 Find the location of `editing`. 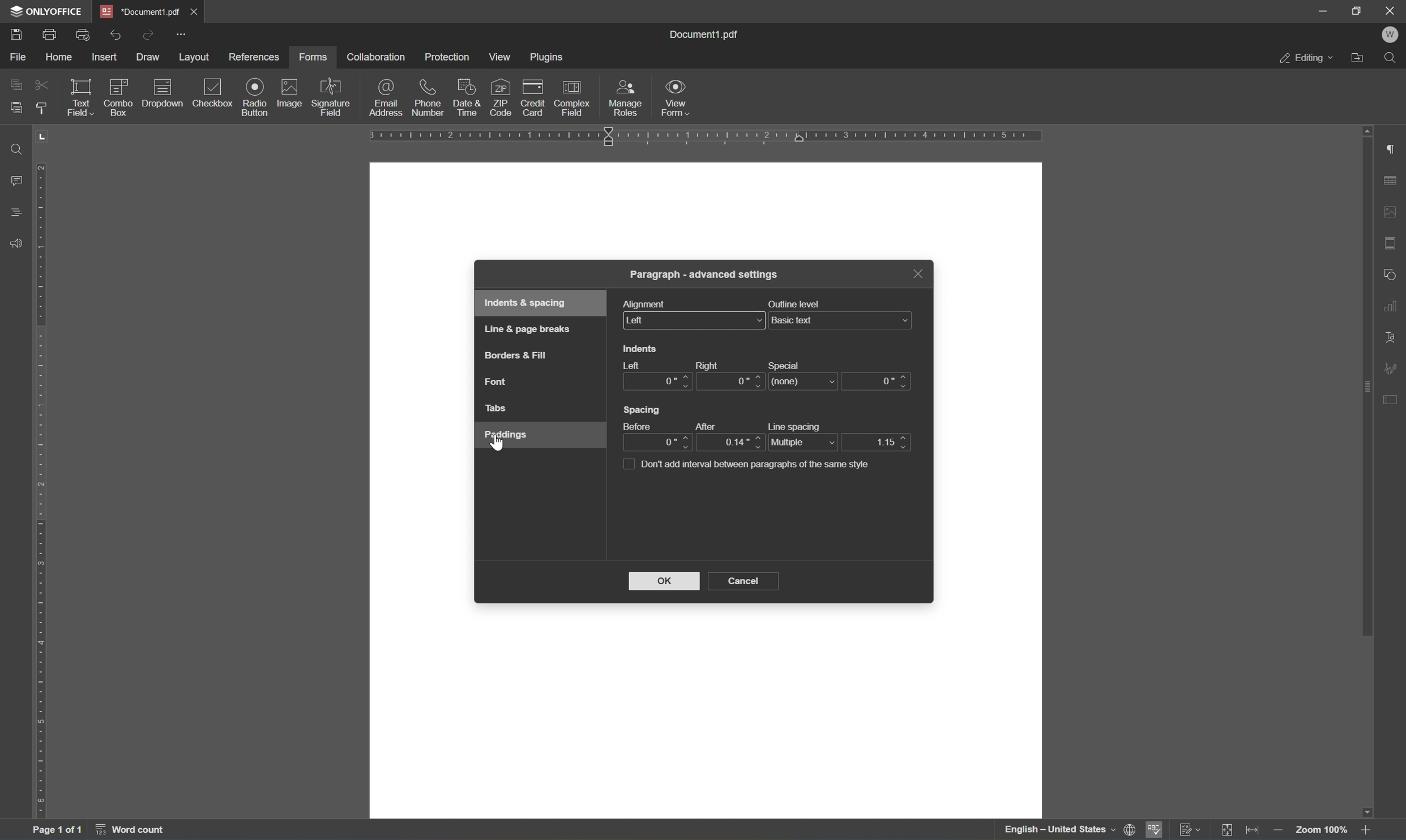

editing is located at coordinates (1307, 61).